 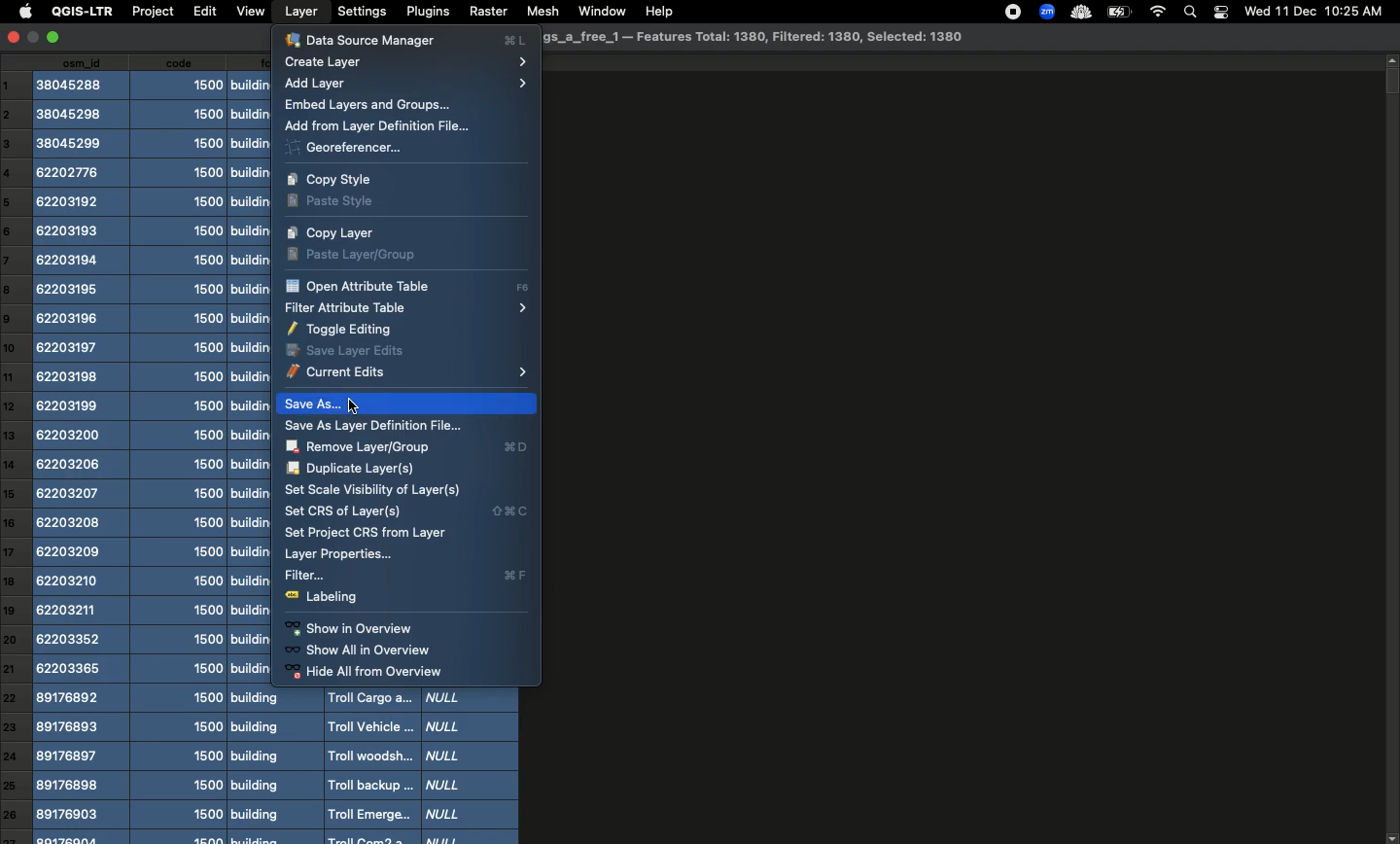 I want to click on Internet, so click(x=1157, y=12).